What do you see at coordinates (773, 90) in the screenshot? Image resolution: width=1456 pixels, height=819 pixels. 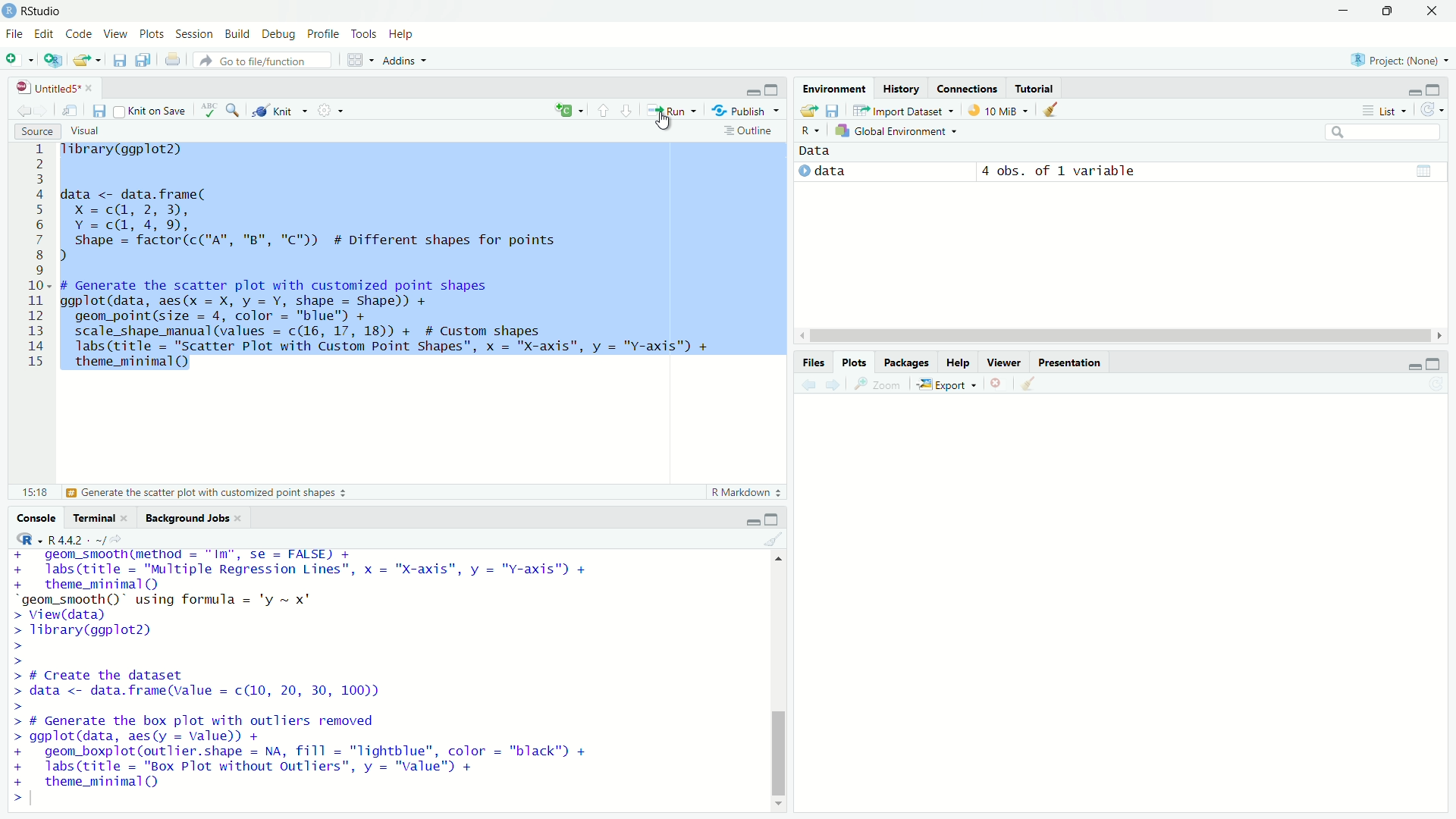 I see `maximize` at bounding box center [773, 90].